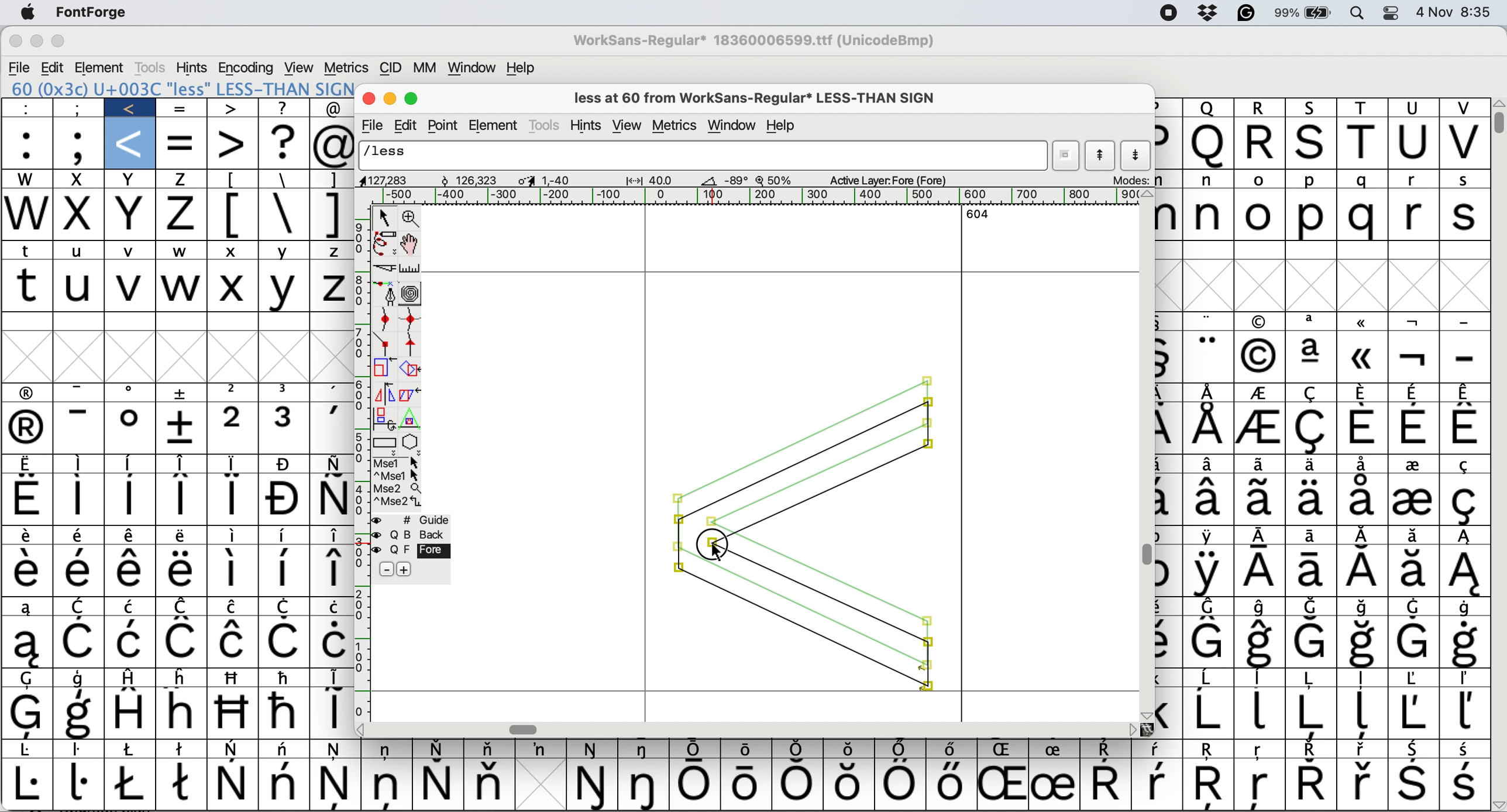 This screenshot has height=812, width=1507. Describe the element at coordinates (182, 536) in the screenshot. I see `Symbol` at that location.